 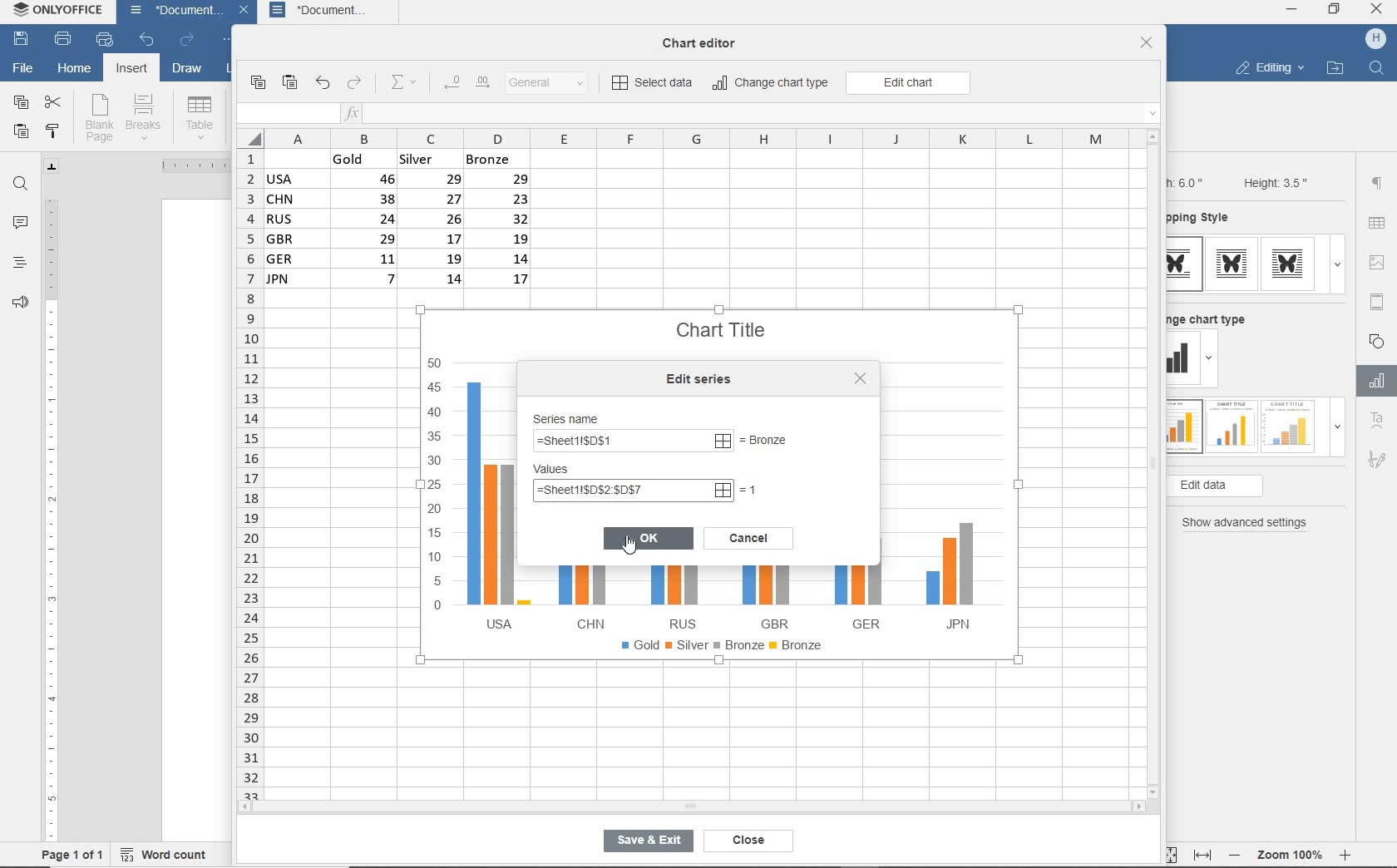 What do you see at coordinates (146, 41) in the screenshot?
I see `undo` at bounding box center [146, 41].